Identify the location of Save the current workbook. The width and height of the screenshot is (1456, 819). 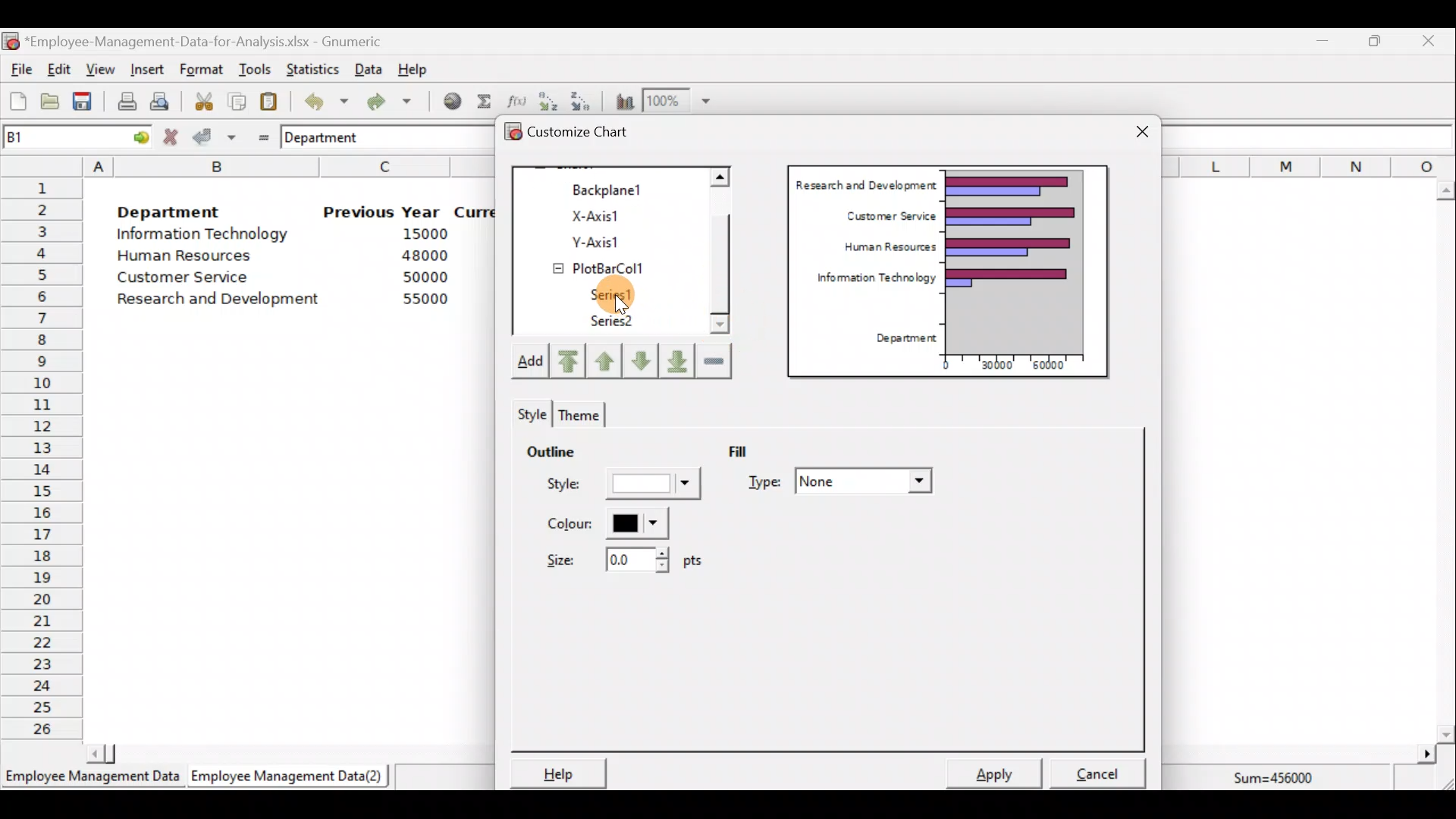
(87, 104).